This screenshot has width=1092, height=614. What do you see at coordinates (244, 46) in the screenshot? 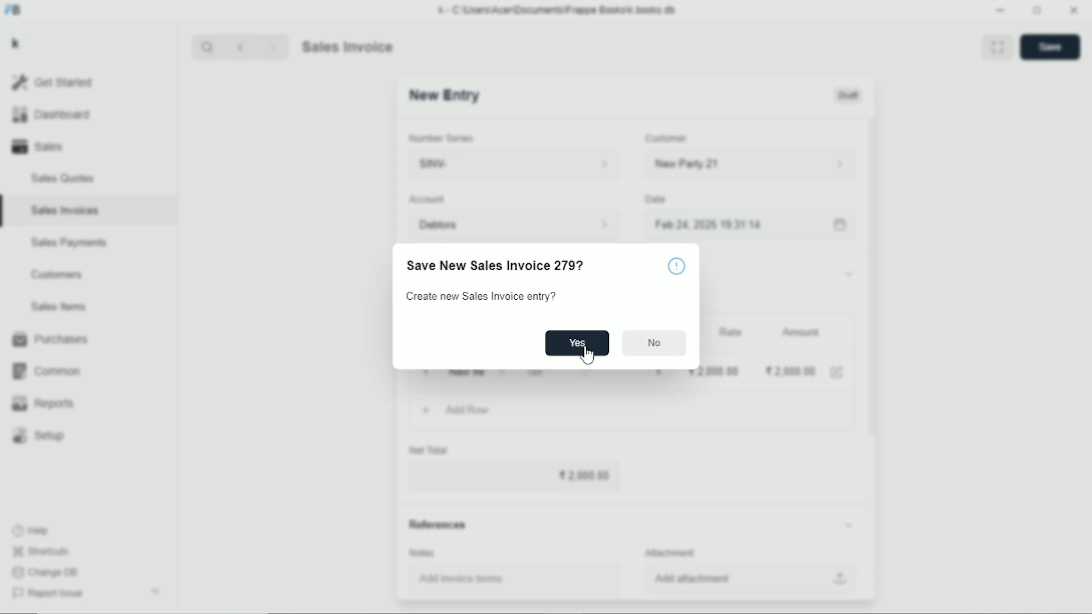
I see `Backward` at bounding box center [244, 46].